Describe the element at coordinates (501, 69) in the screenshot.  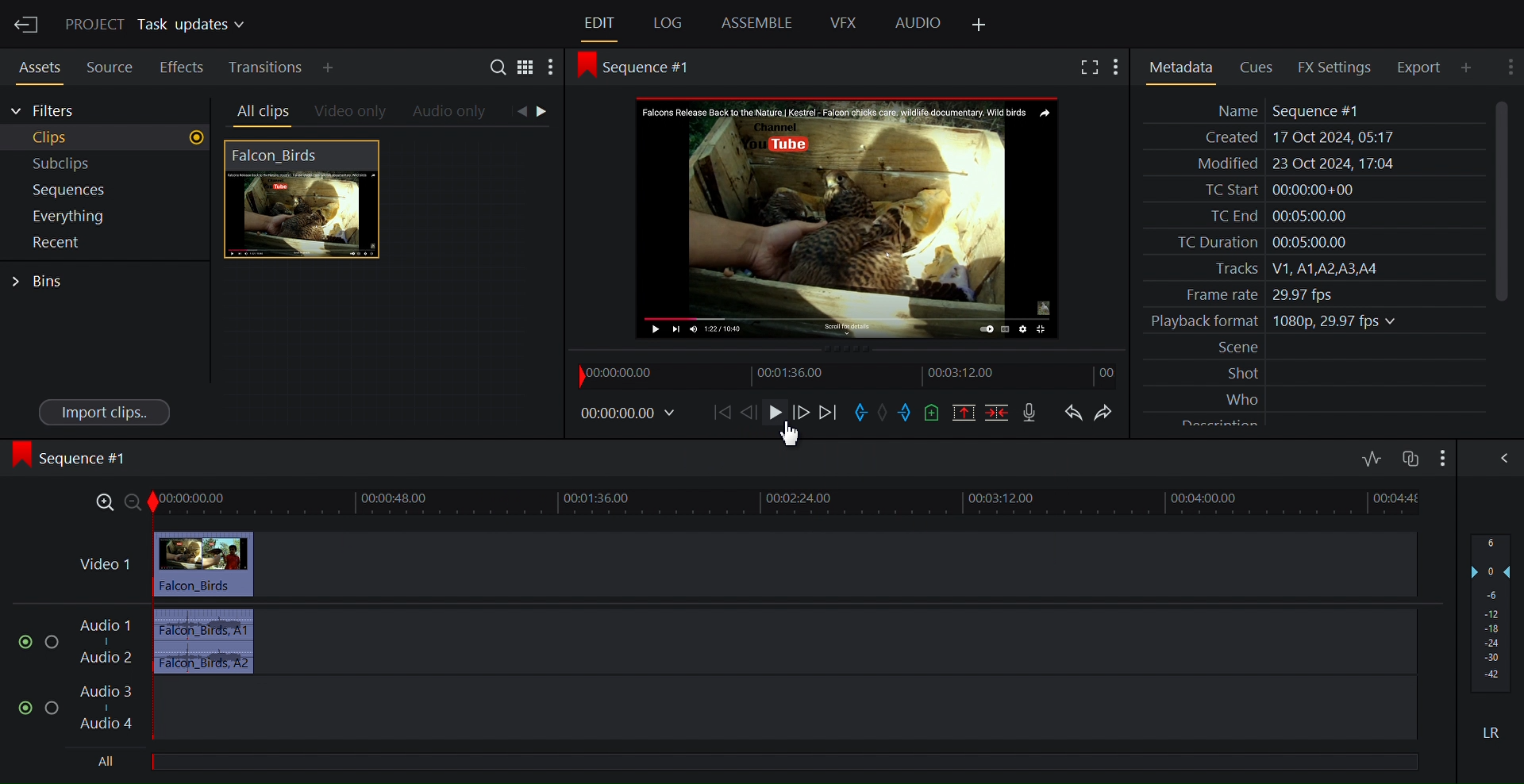
I see `Search` at that location.